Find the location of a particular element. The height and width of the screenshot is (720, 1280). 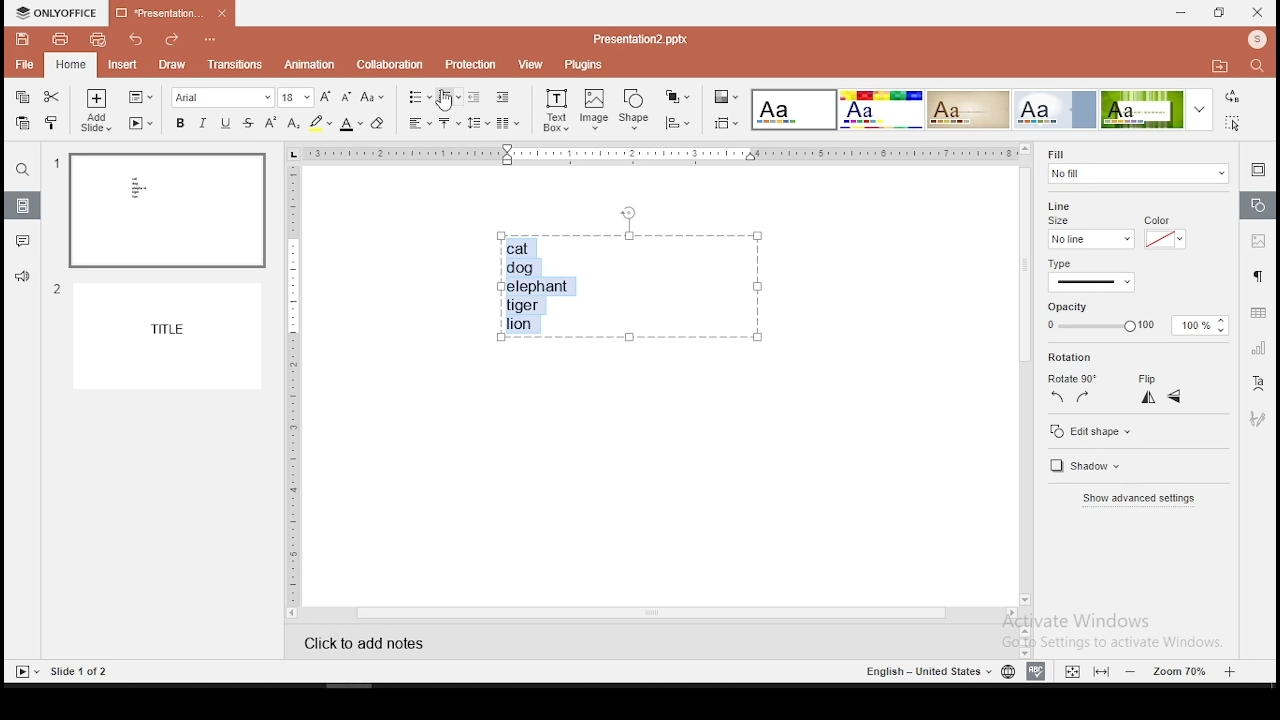

theme  is located at coordinates (1057, 109).